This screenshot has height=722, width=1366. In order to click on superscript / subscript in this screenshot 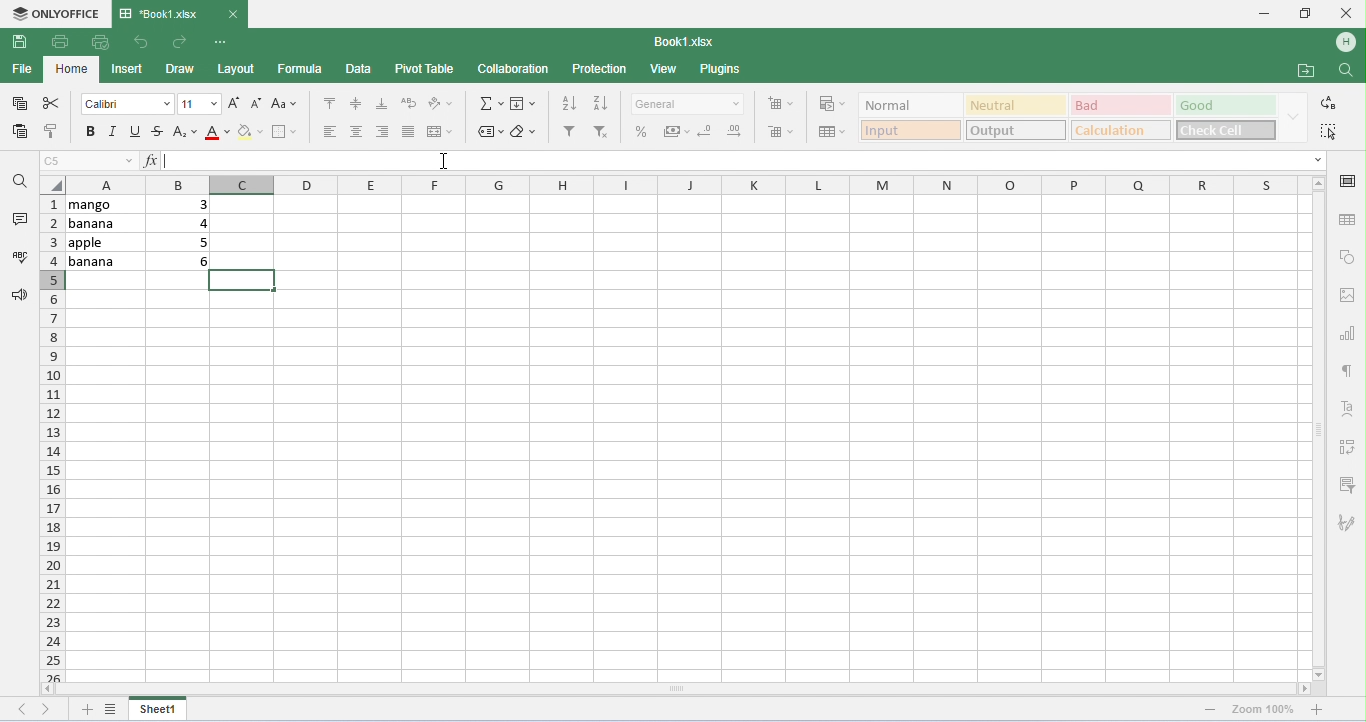, I will do `click(185, 134)`.